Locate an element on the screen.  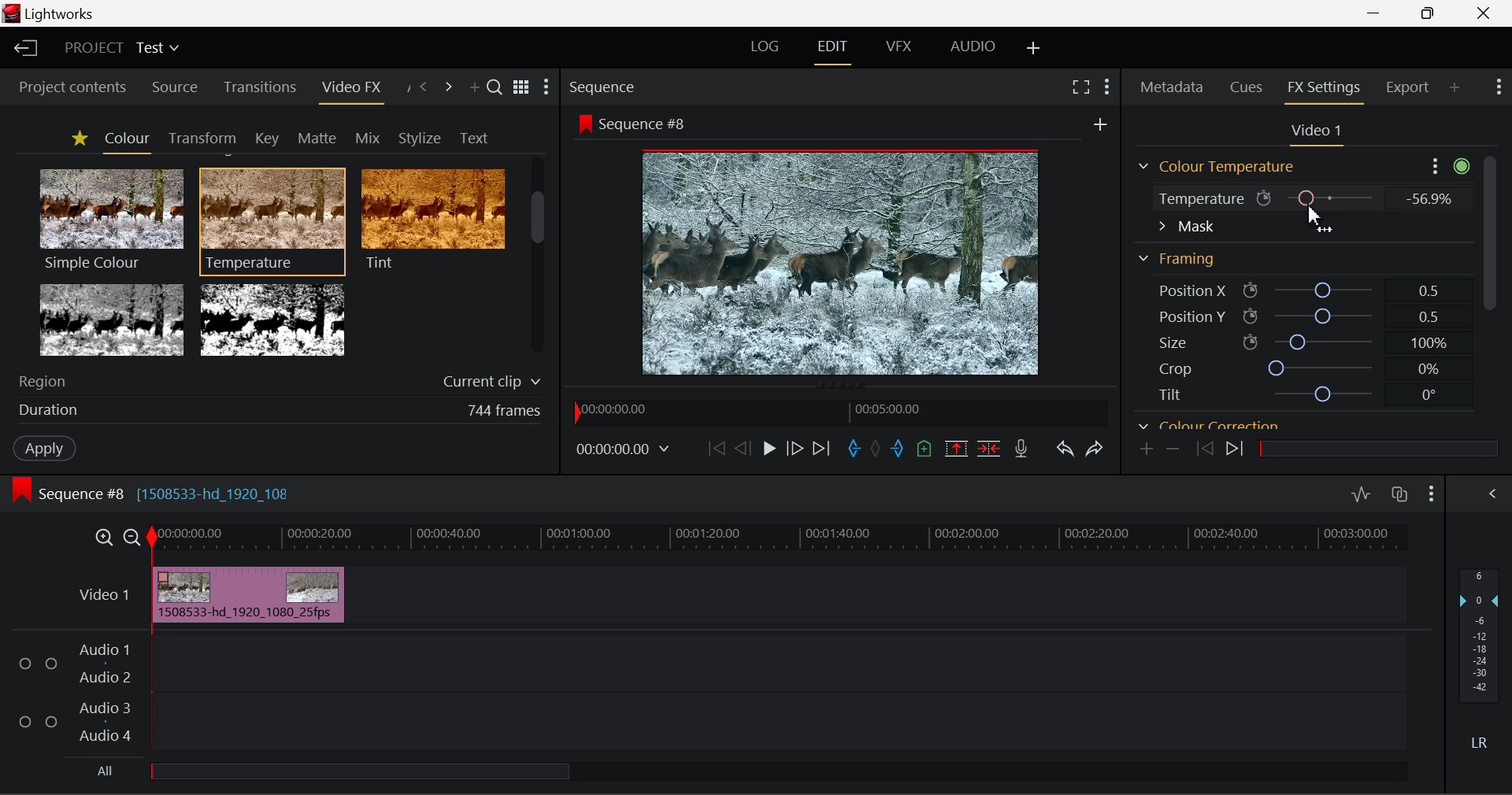
FX Settings Open is located at coordinates (1325, 89).